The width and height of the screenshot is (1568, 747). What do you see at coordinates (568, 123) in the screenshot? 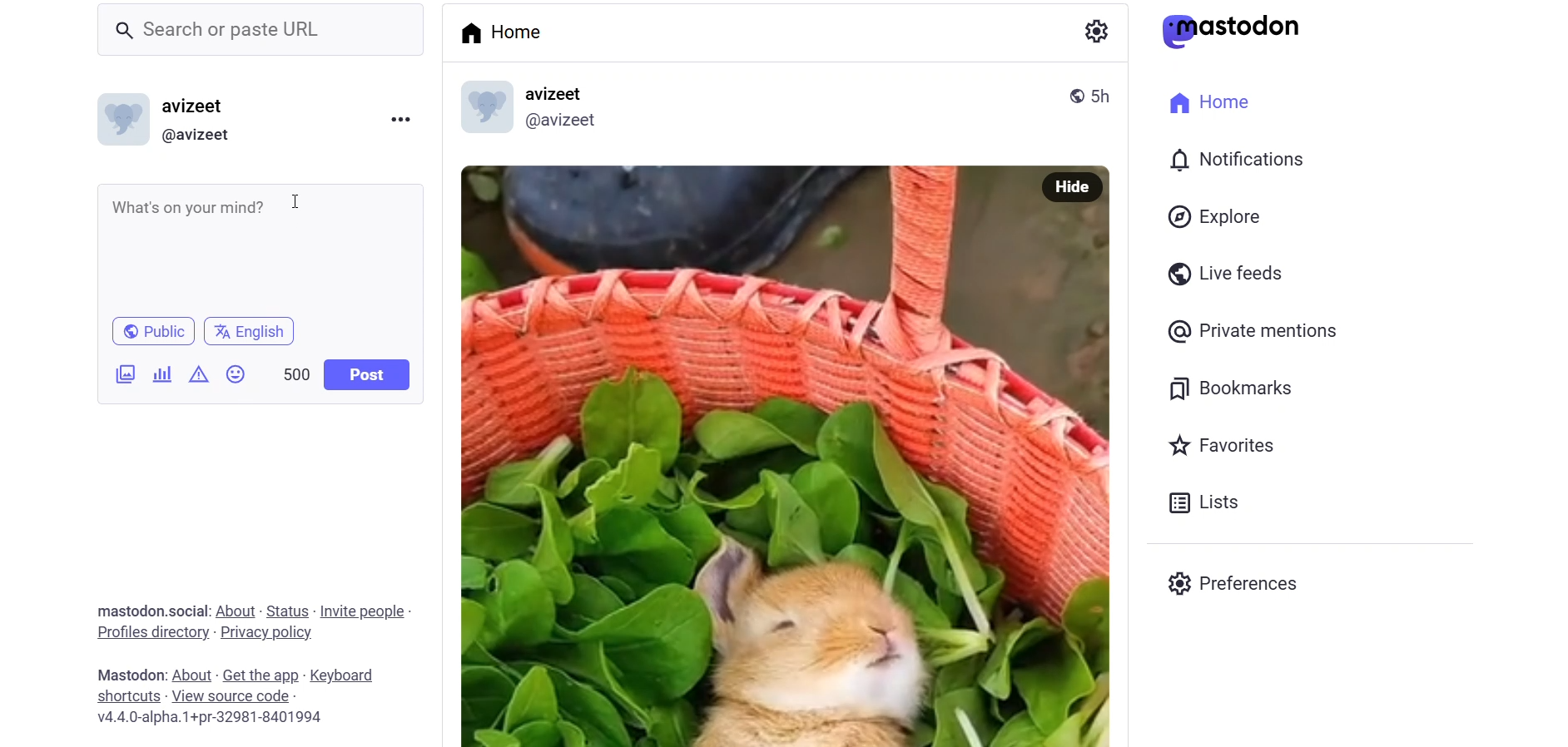
I see `id` at bounding box center [568, 123].